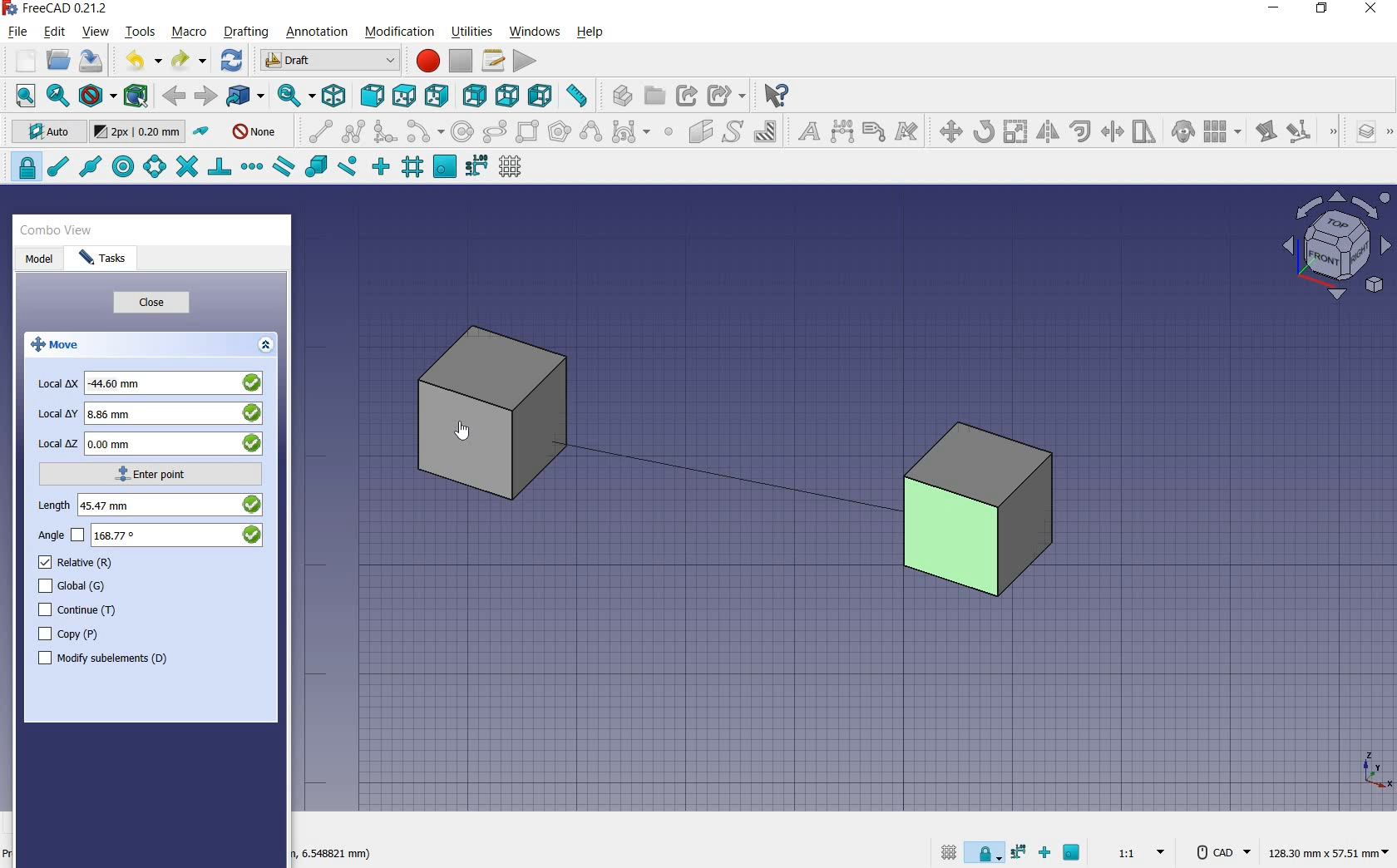  I want to click on label, so click(874, 131).